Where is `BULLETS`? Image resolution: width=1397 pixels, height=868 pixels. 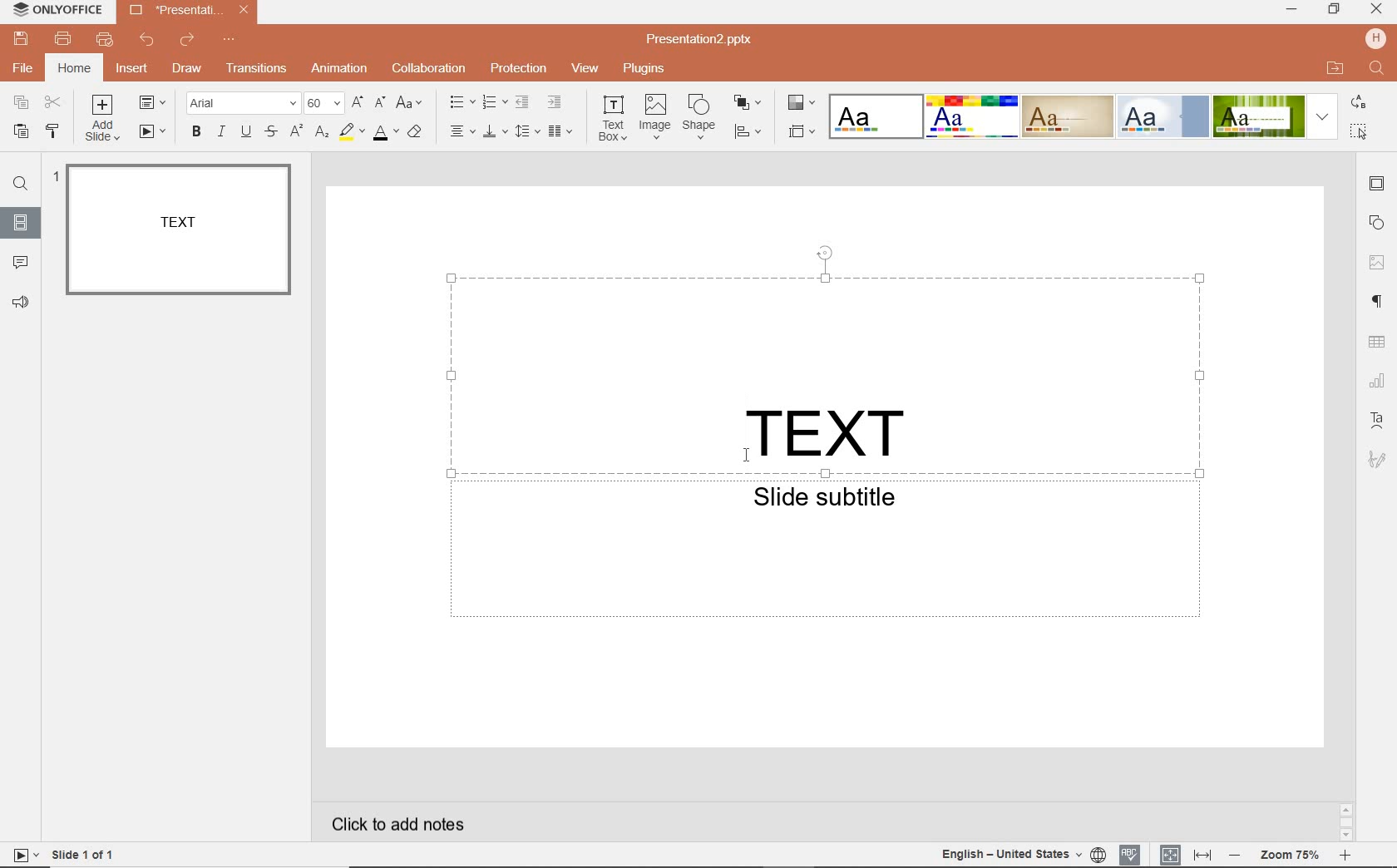
BULLETS is located at coordinates (462, 102).